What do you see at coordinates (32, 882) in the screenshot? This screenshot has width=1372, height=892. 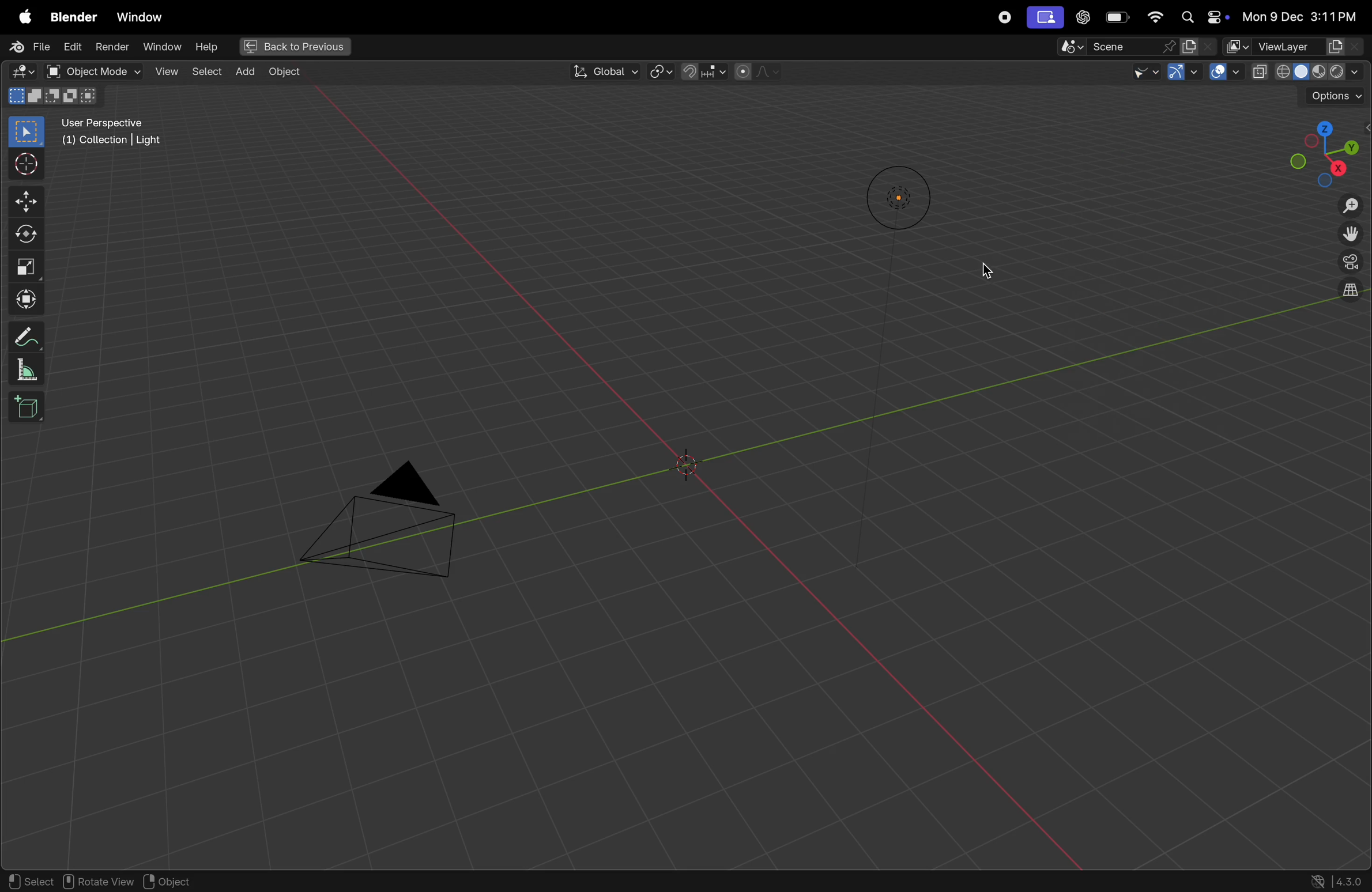 I see `select` at bounding box center [32, 882].